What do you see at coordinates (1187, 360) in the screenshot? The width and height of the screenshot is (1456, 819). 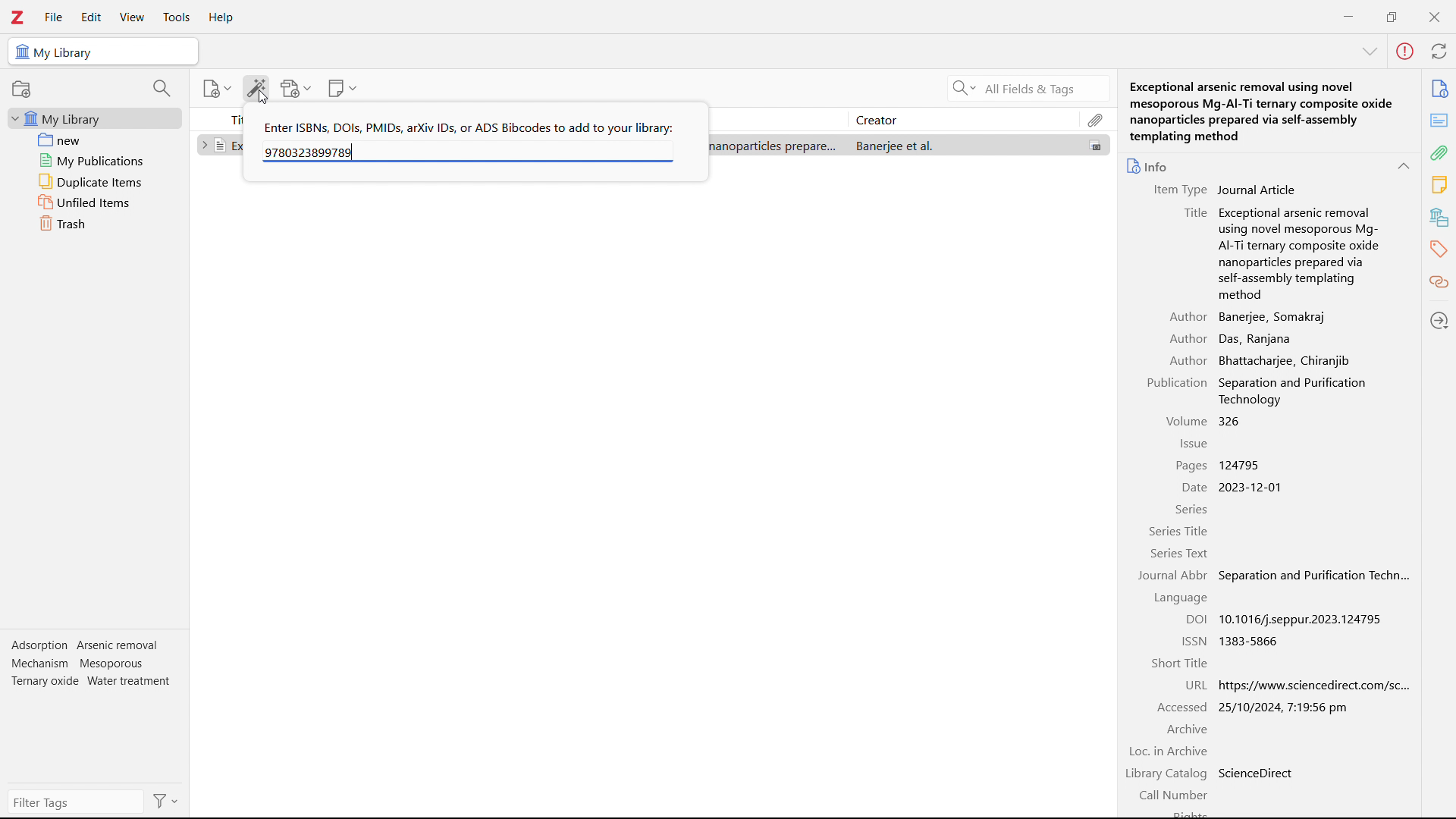 I see `Author` at bounding box center [1187, 360].